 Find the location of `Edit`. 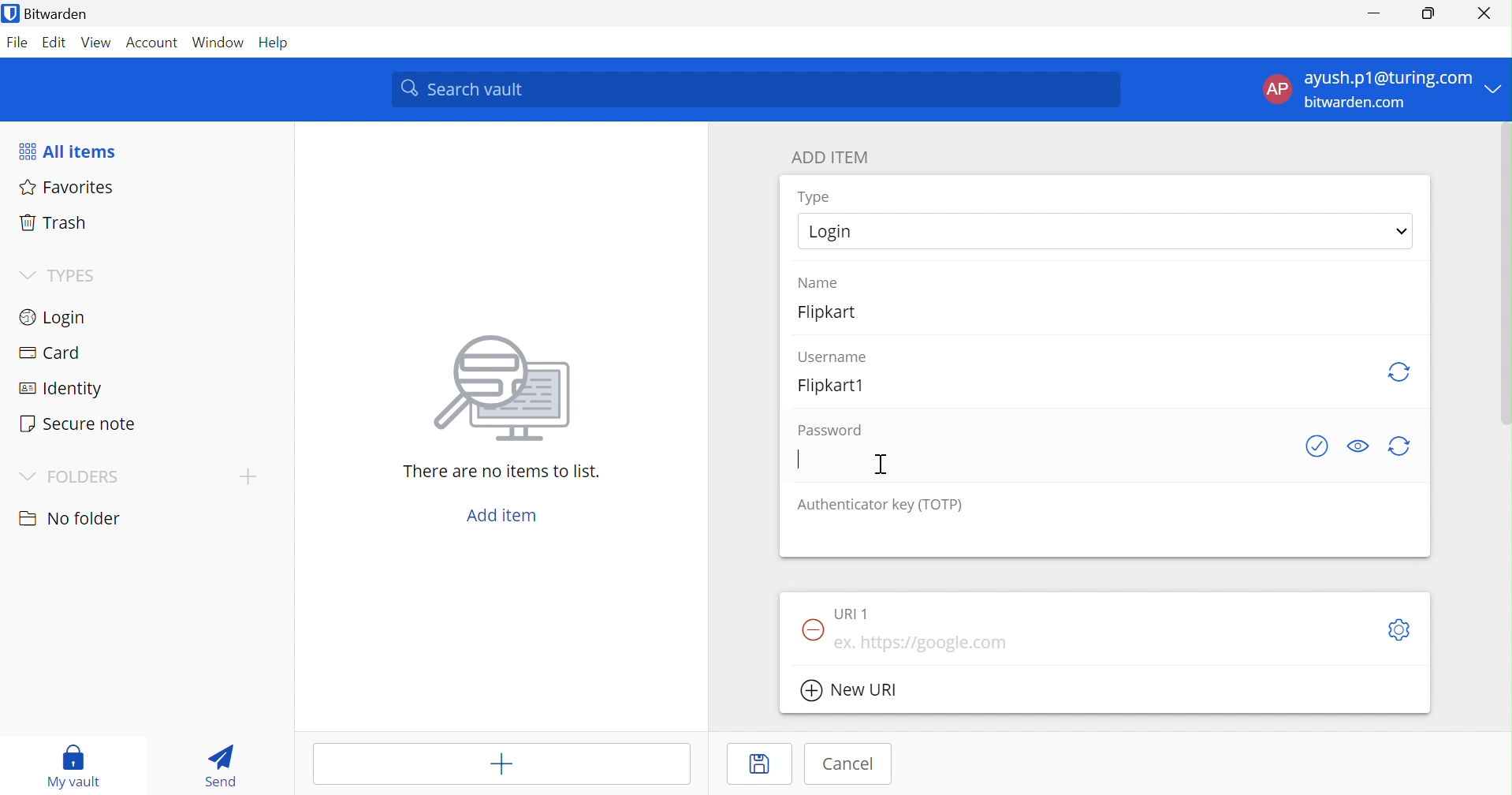

Edit is located at coordinates (51, 42).